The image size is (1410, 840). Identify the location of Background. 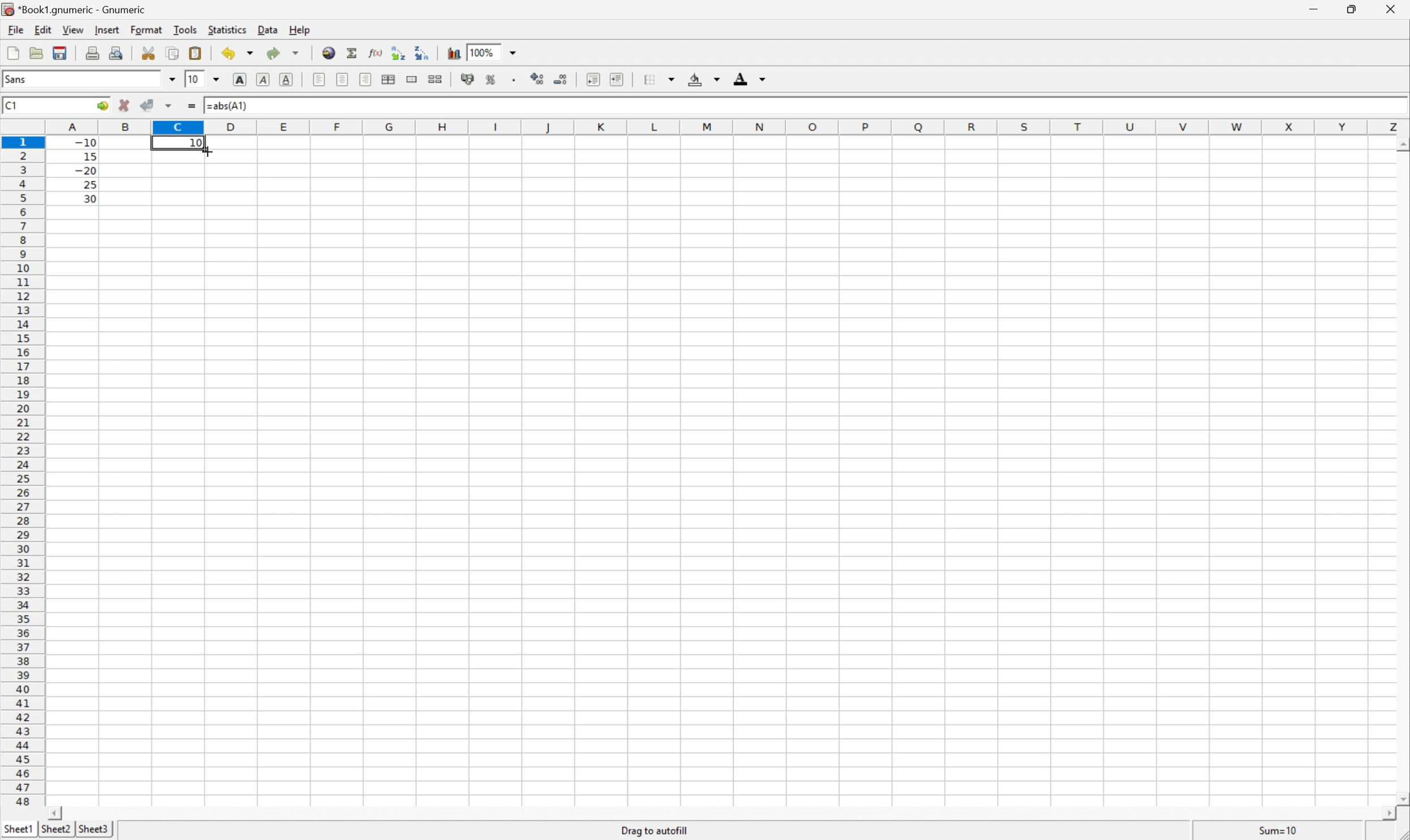
(695, 80).